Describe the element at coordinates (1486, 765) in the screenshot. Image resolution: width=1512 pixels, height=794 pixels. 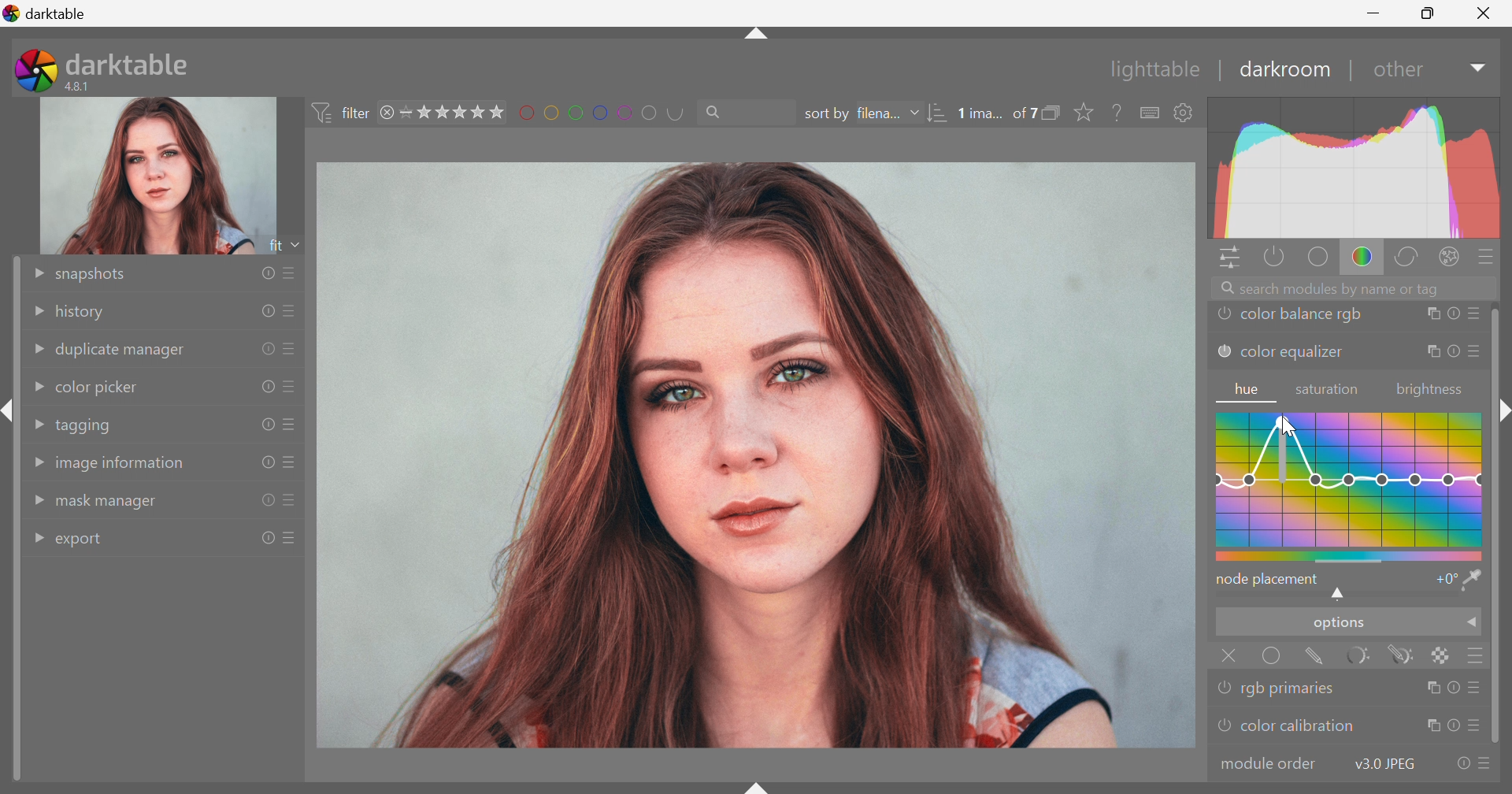
I see `presets` at that location.